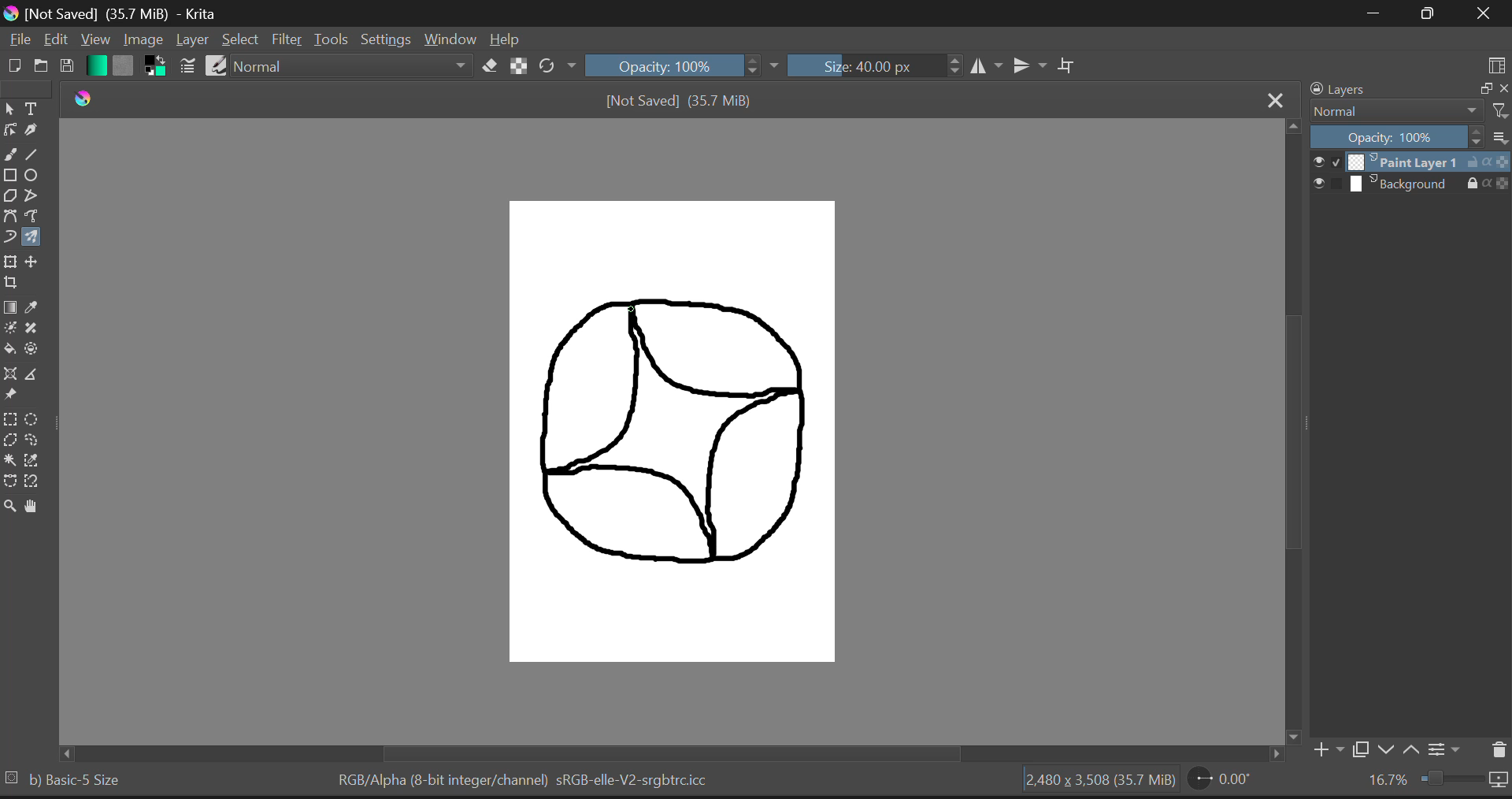 This screenshot has width=1512, height=799. Describe the element at coordinates (1293, 736) in the screenshot. I see `` at that location.